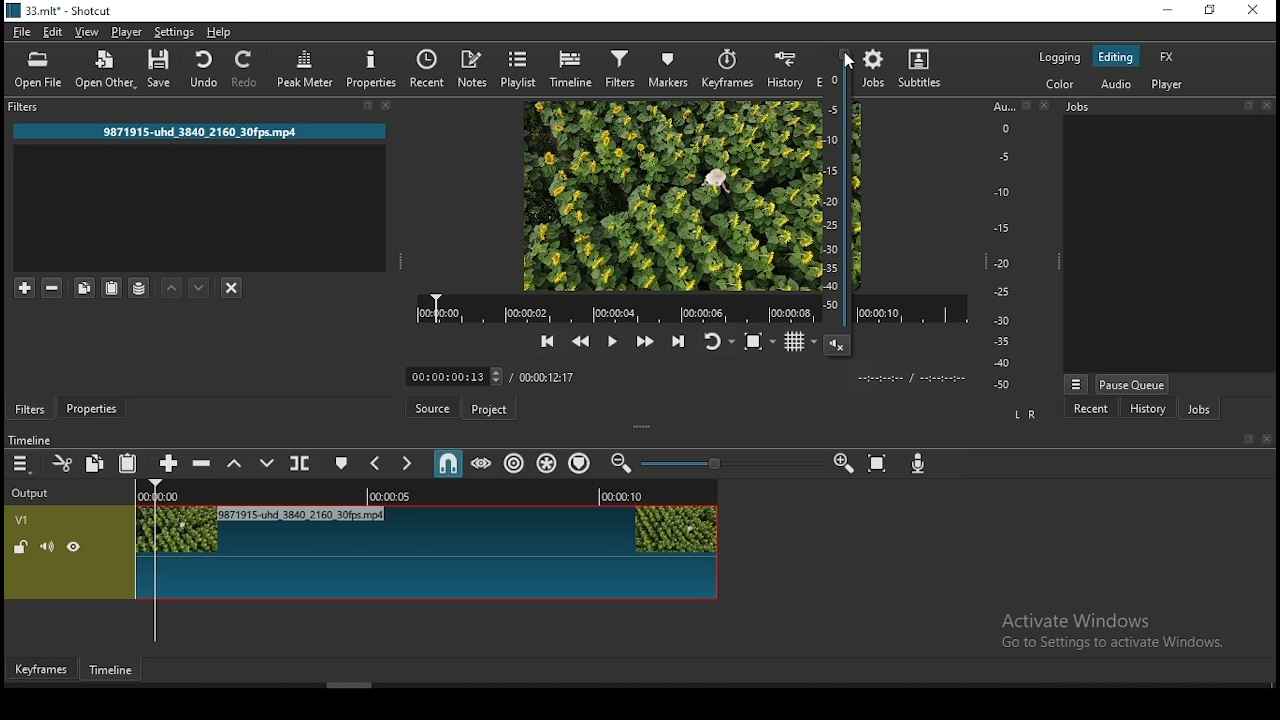 The height and width of the screenshot is (720, 1280). Describe the element at coordinates (1203, 409) in the screenshot. I see `jobs` at that location.